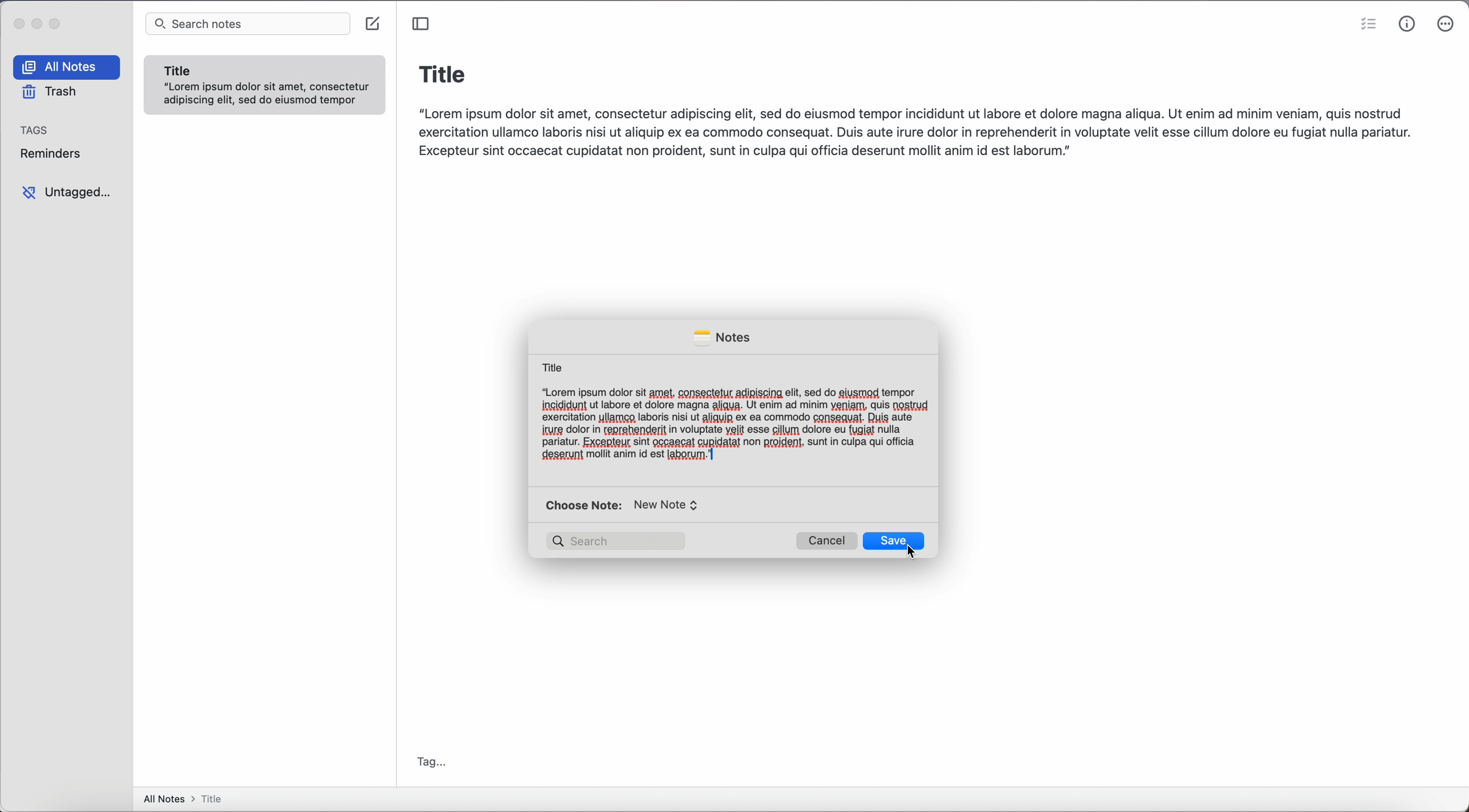 The width and height of the screenshot is (1469, 812). I want to click on title, so click(443, 72).